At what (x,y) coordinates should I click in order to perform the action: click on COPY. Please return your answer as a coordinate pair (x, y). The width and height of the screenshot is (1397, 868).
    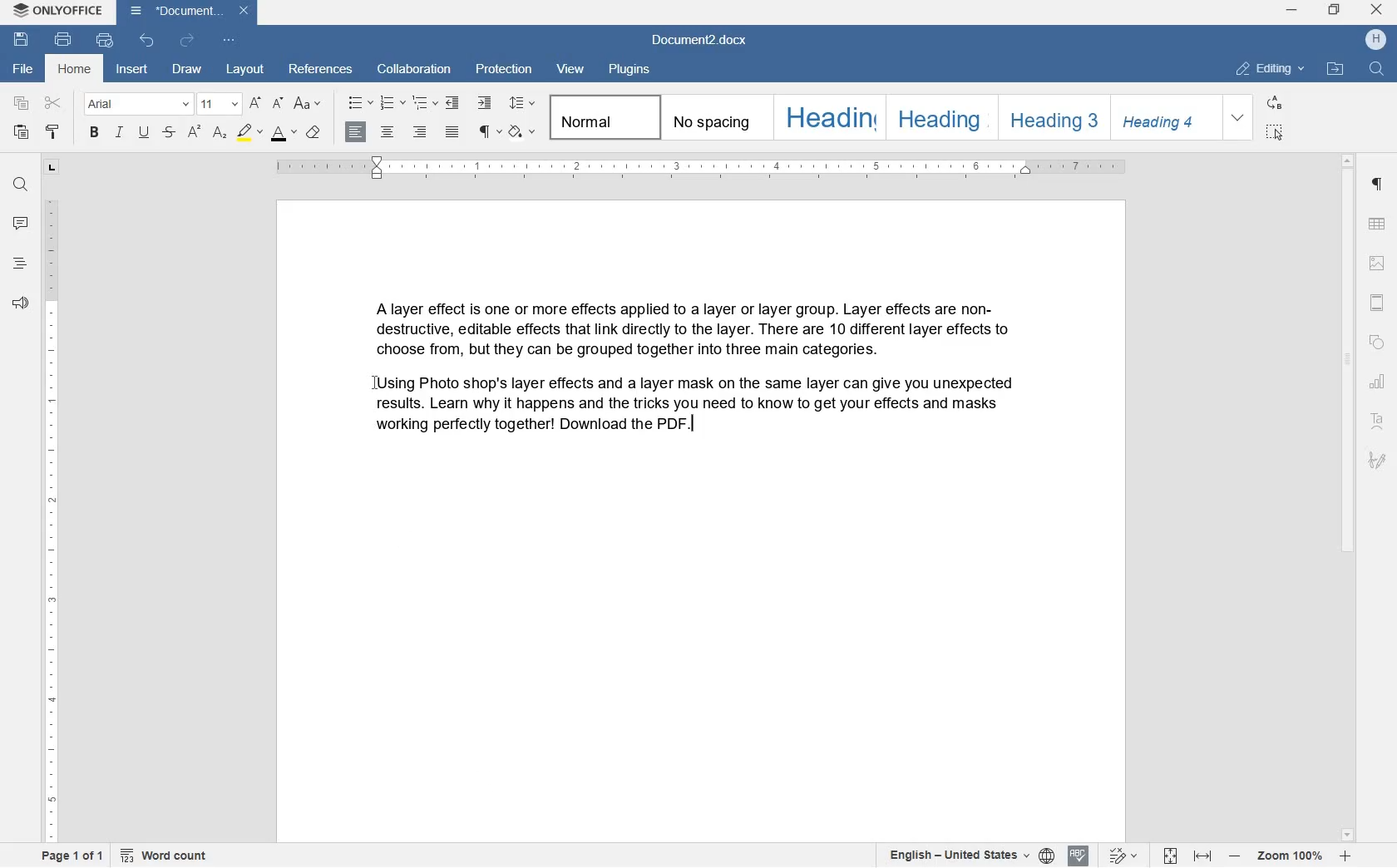
    Looking at the image, I should click on (21, 104).